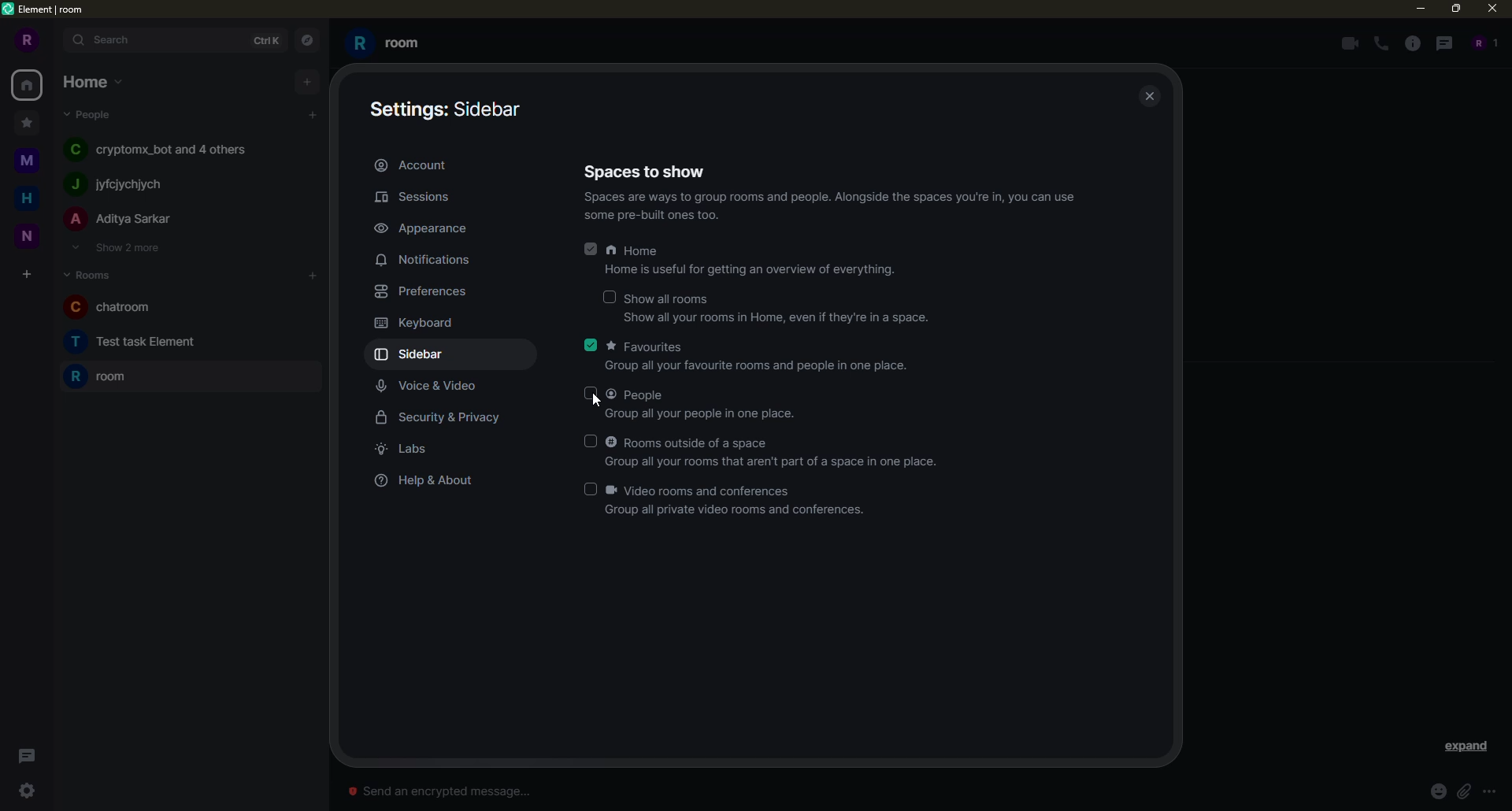 The height and width of the screenshot is (811, 1512). I want to click on element, so click(45, 11).